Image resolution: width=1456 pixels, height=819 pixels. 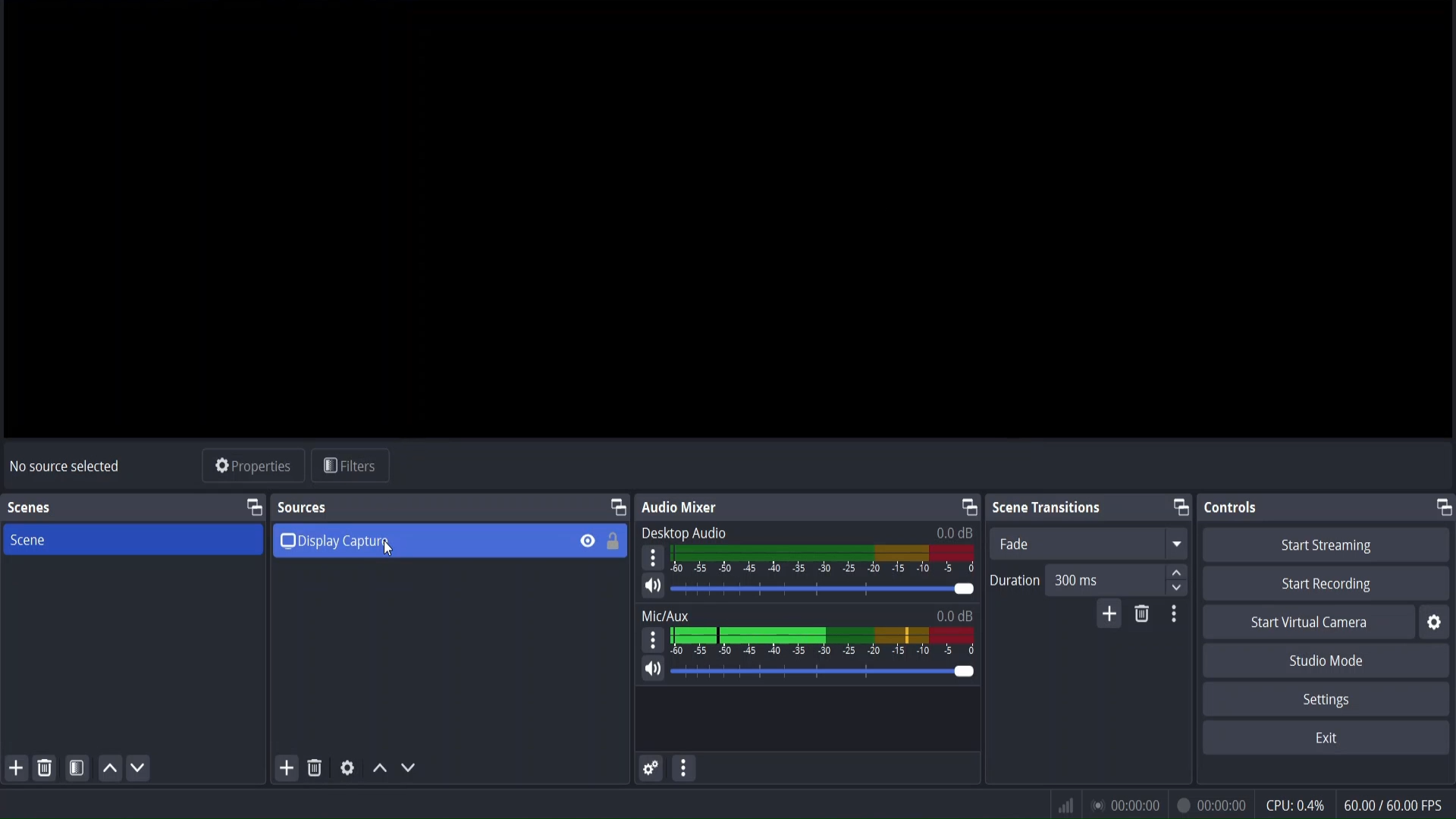 I want to click on change tab layout, so click(x=1442, y=507).